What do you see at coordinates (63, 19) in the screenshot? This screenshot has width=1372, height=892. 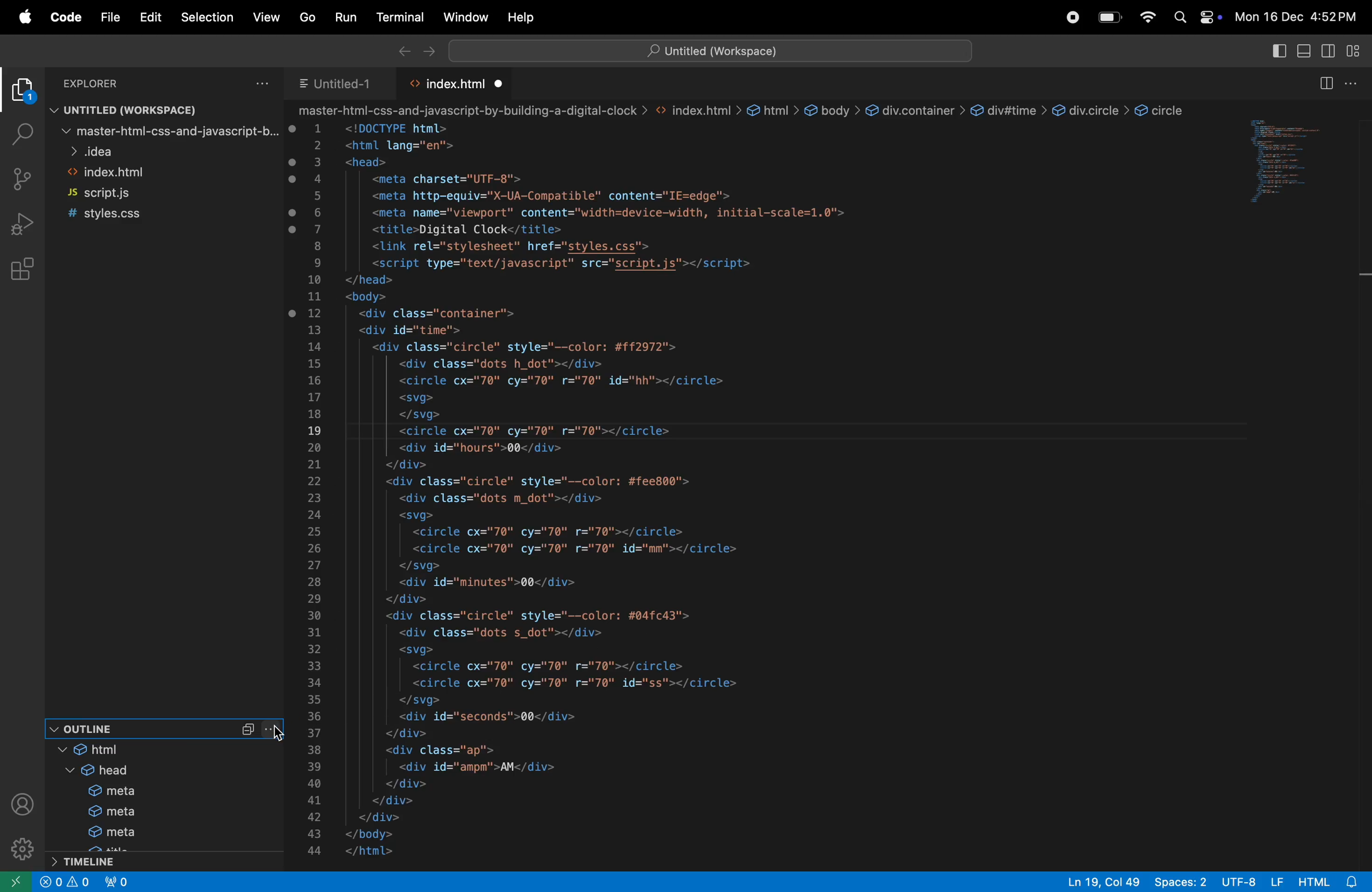 I see `code` at bounding box center [63, 19].